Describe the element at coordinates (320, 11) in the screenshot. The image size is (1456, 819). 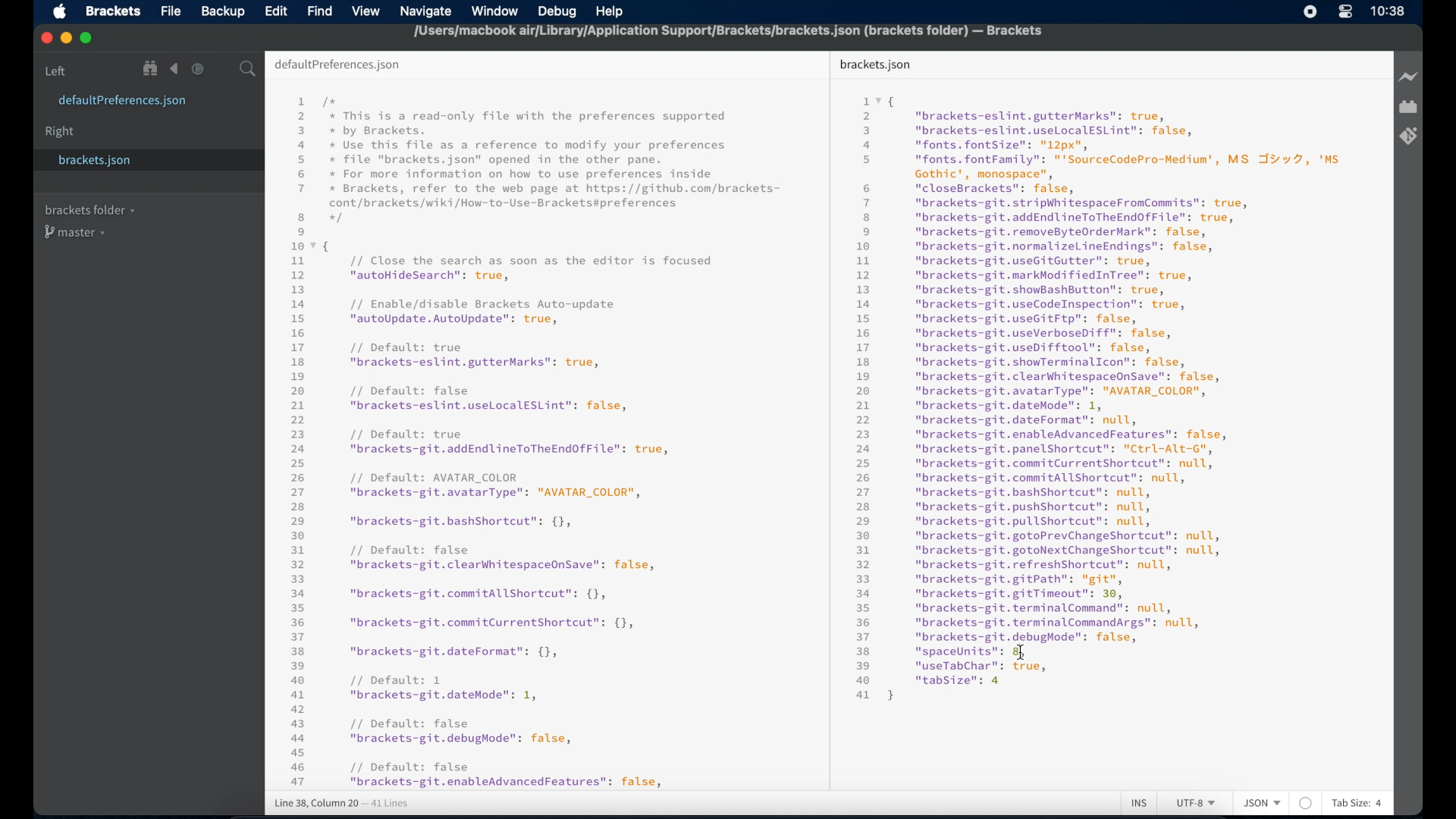
I see `find` at that location.